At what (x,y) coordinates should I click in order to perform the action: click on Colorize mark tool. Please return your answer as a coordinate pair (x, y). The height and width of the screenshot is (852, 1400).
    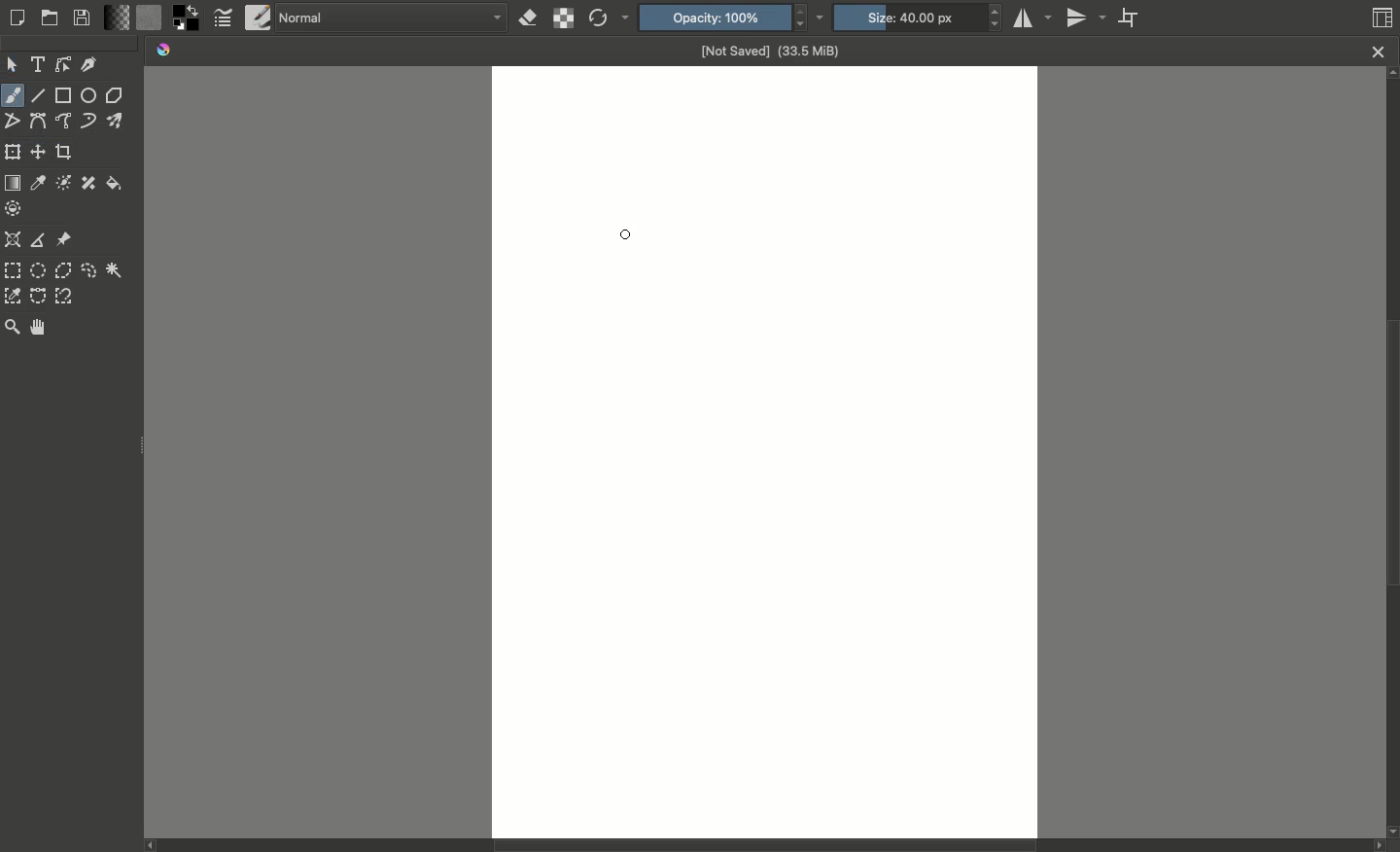
    Looking at the image, I should click on (63, 182).